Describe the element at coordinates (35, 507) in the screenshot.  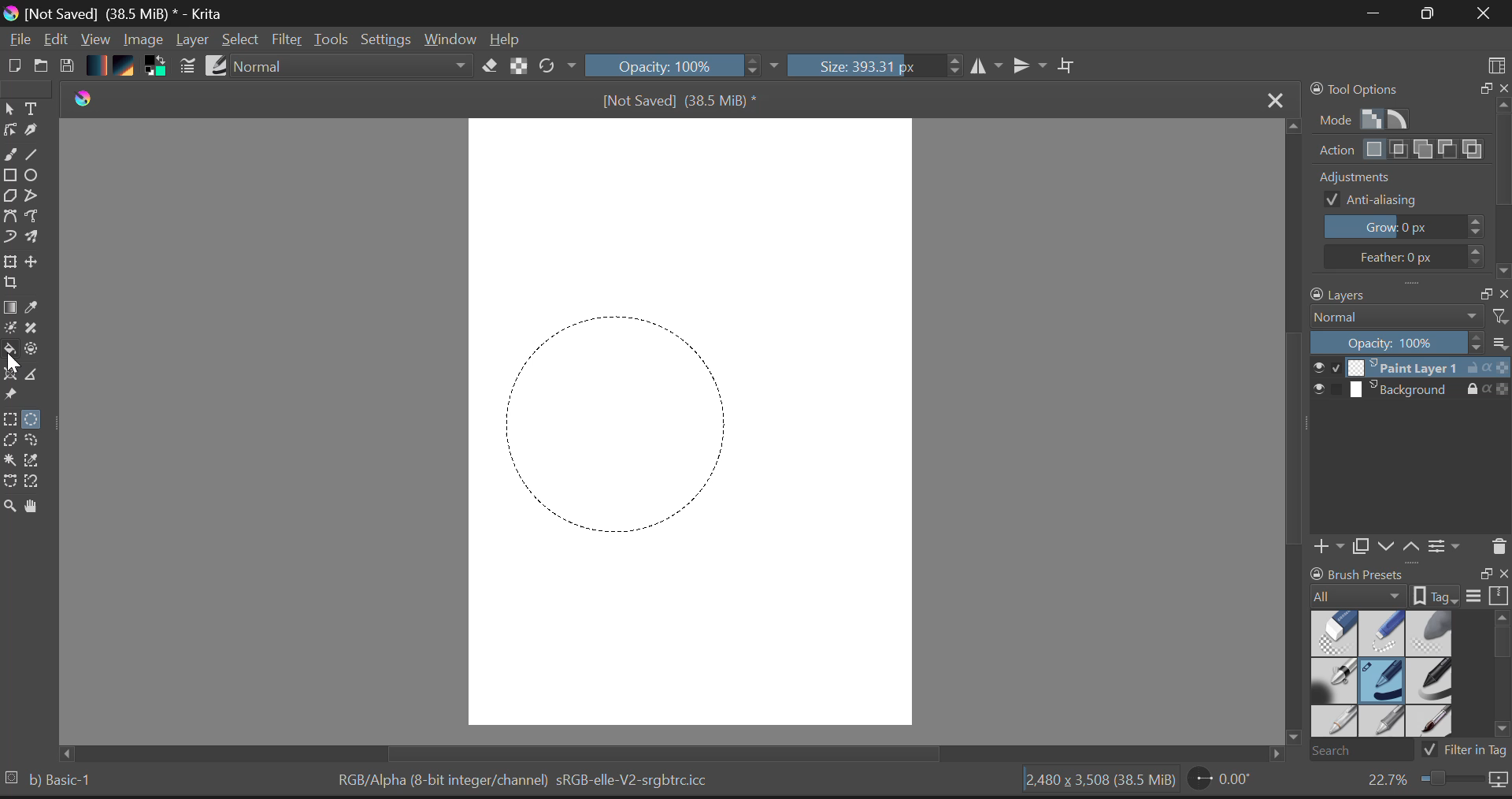
I see `Pan` at that location.